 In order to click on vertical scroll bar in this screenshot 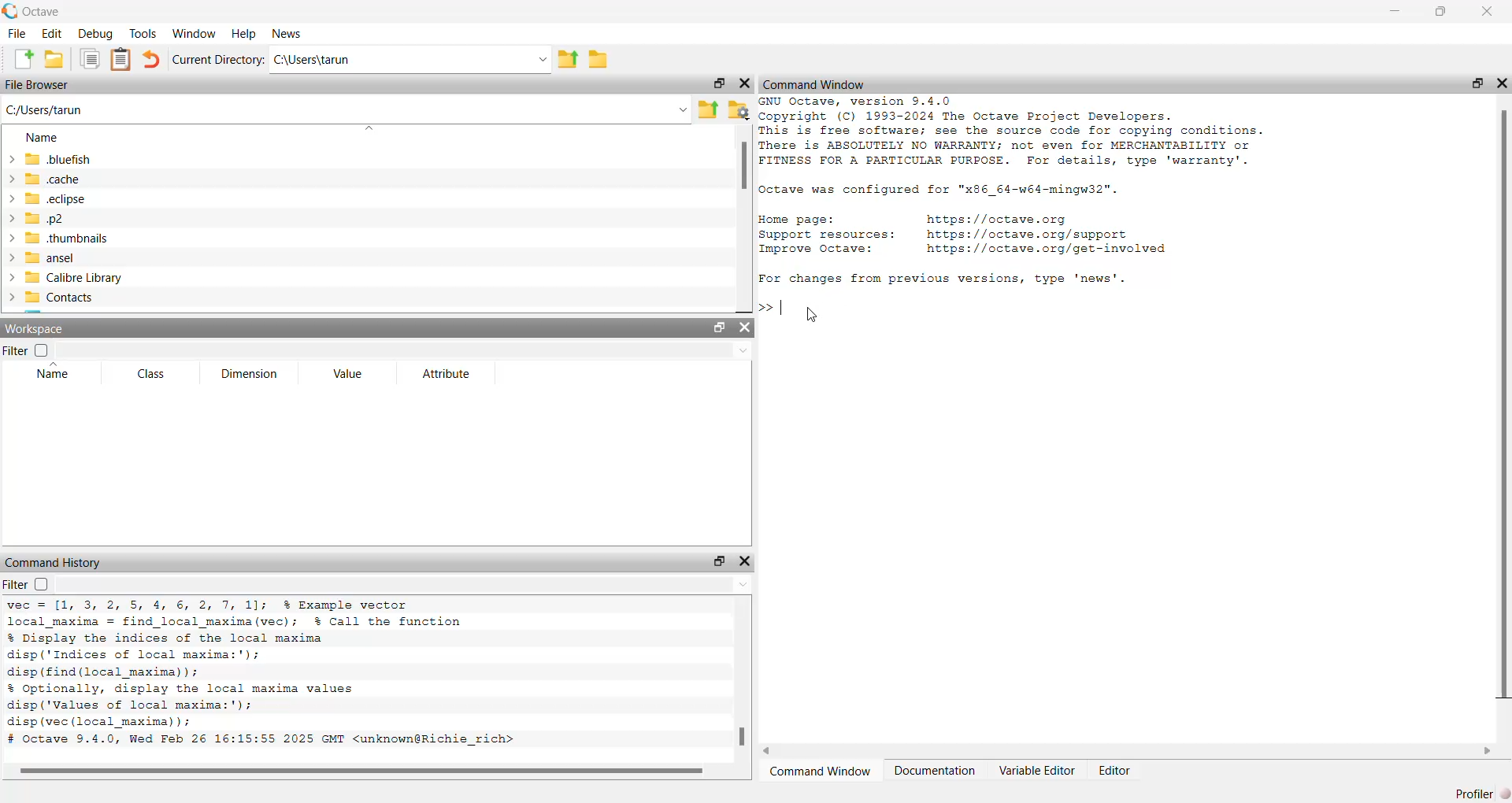, I will do `click(744, 219)`.